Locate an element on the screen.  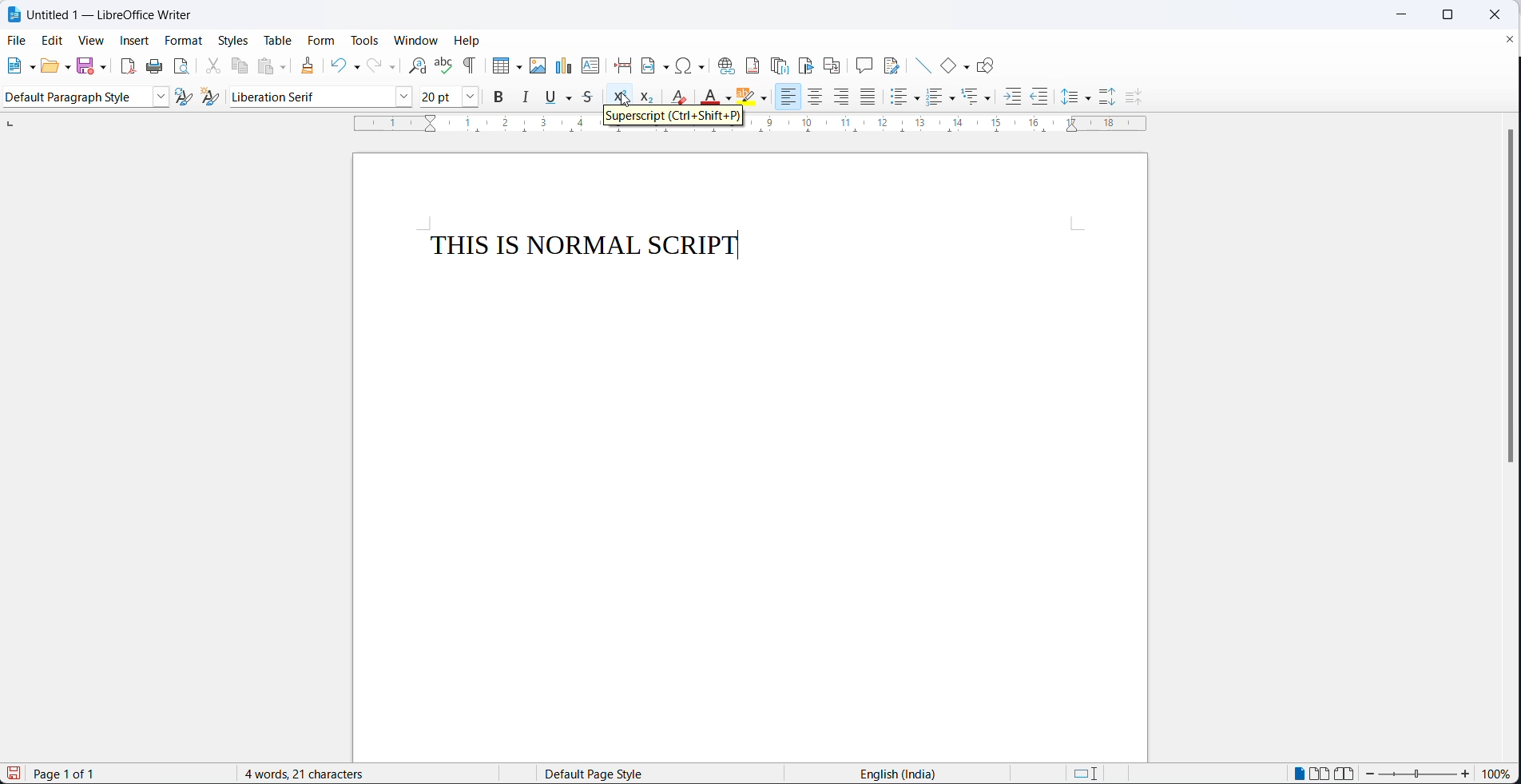
ruler is located at coordinates (742, 126).